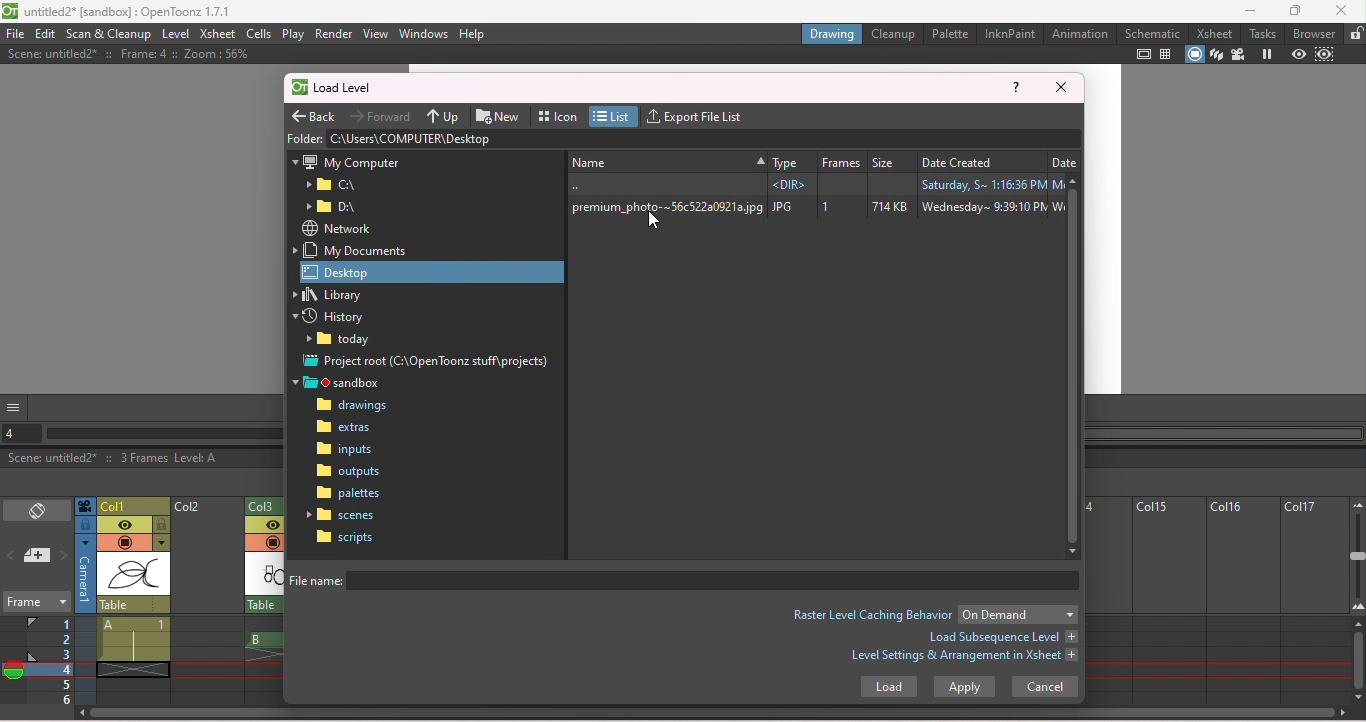  Describe the element at coordinates (336, 228) in the screenshot. I see `Network` at that location.